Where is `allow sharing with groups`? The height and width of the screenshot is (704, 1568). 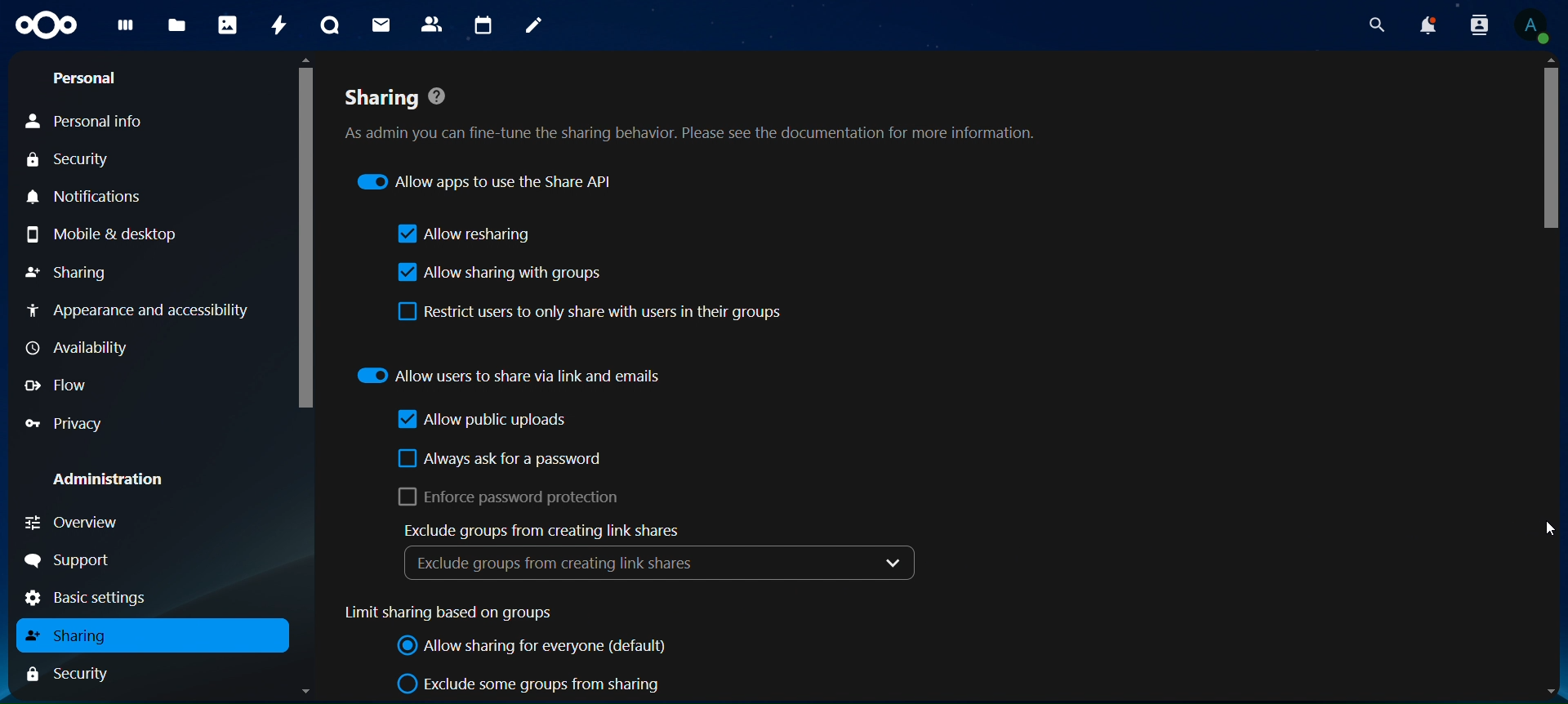 allow sharing with groups is located at coordinates (500, 274).